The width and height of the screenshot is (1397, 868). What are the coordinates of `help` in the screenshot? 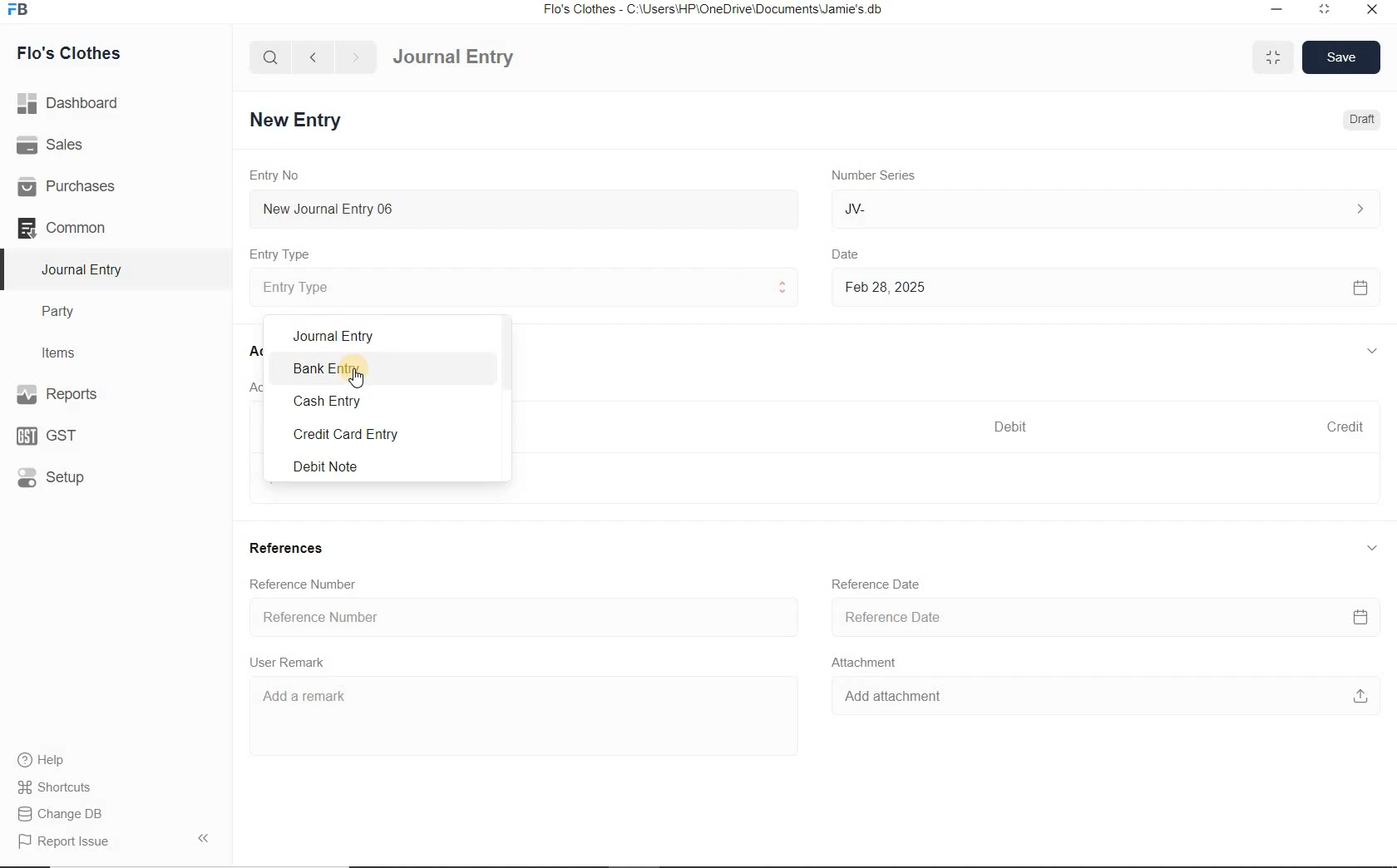 It's located at (42, 760).